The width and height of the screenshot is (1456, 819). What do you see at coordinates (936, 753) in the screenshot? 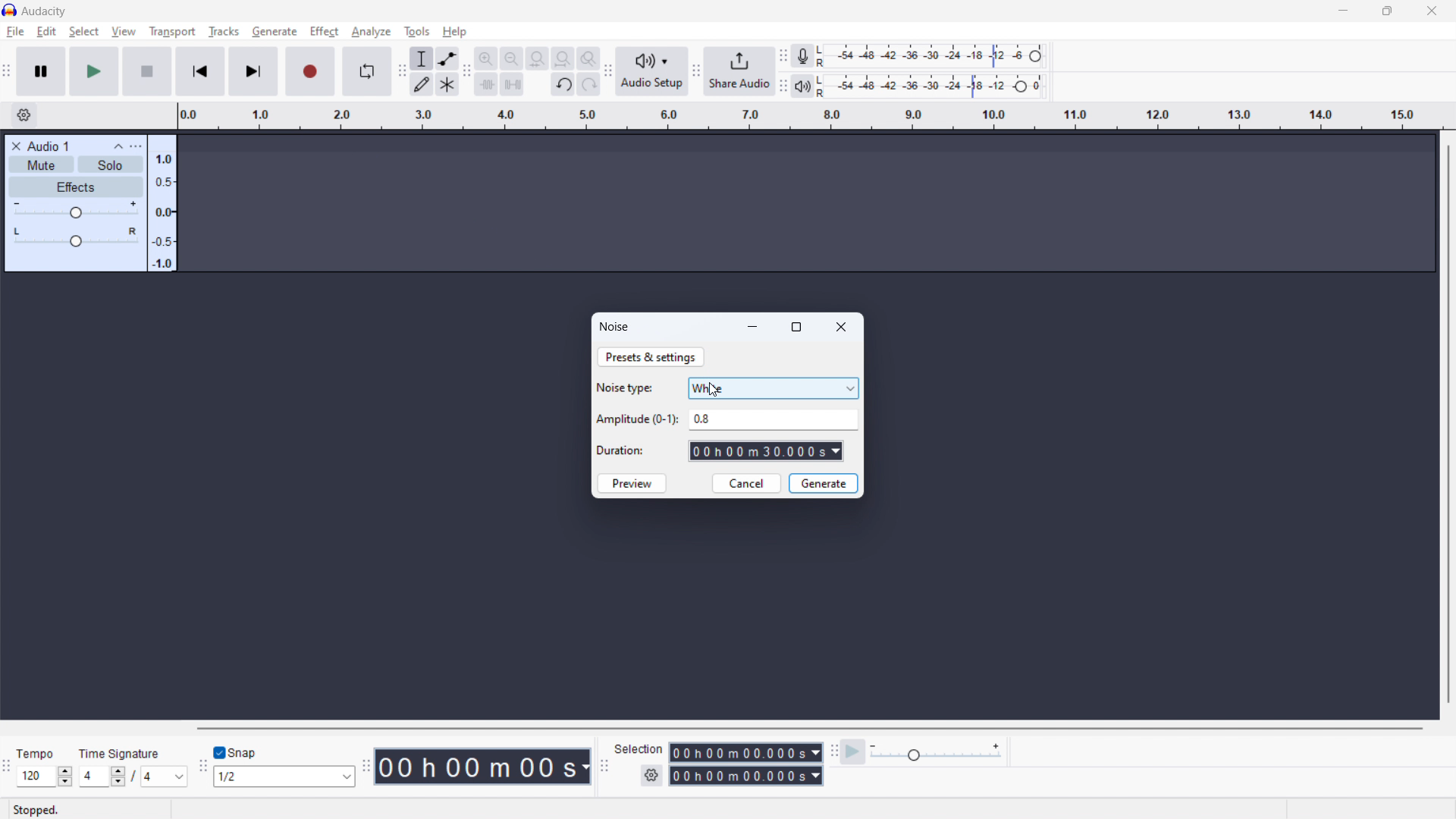
I see `playback speed` at bounding box center [936, 753].